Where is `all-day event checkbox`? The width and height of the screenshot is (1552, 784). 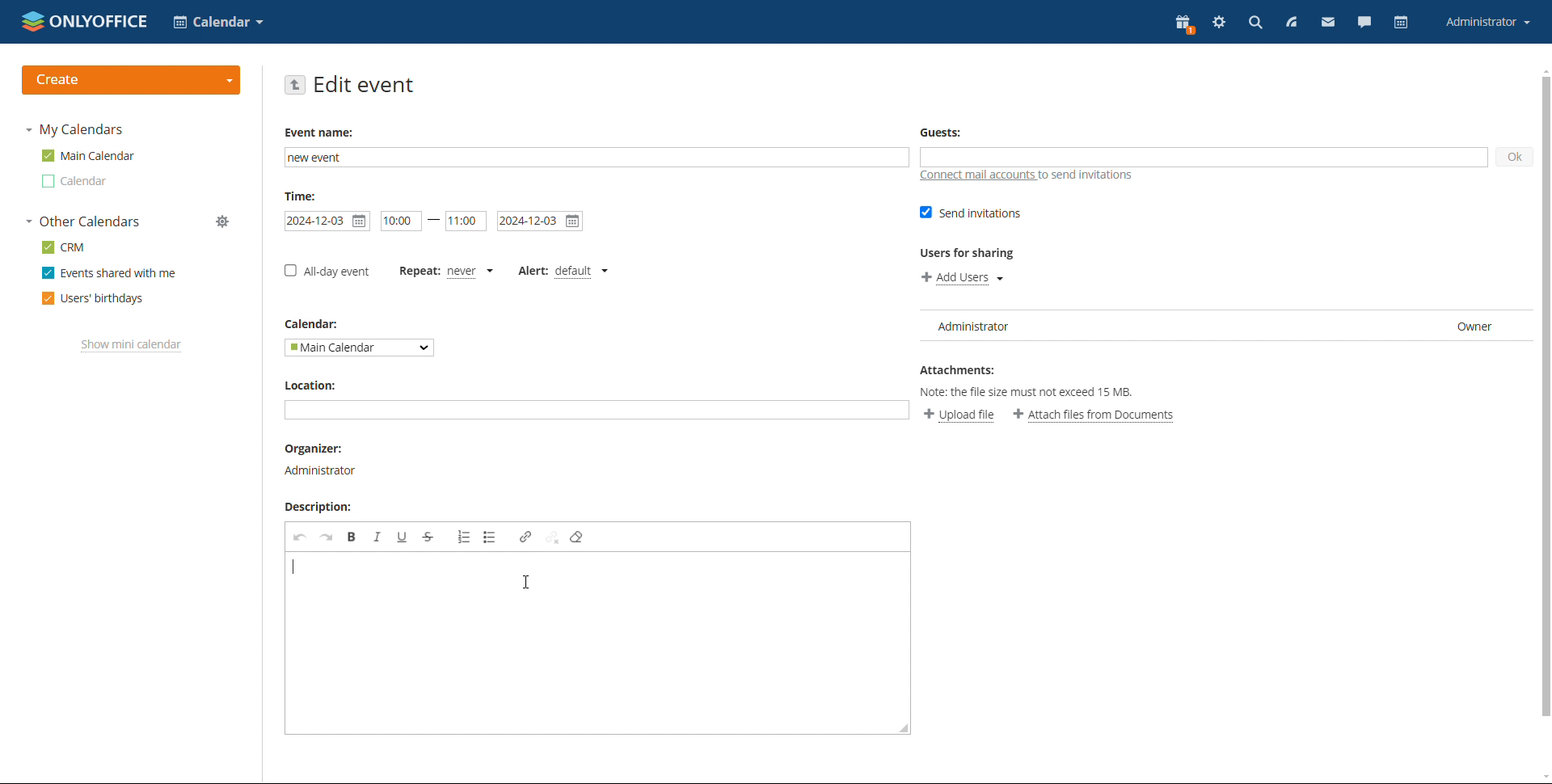 all-day event checkbox is located at coordinates (327, 271).